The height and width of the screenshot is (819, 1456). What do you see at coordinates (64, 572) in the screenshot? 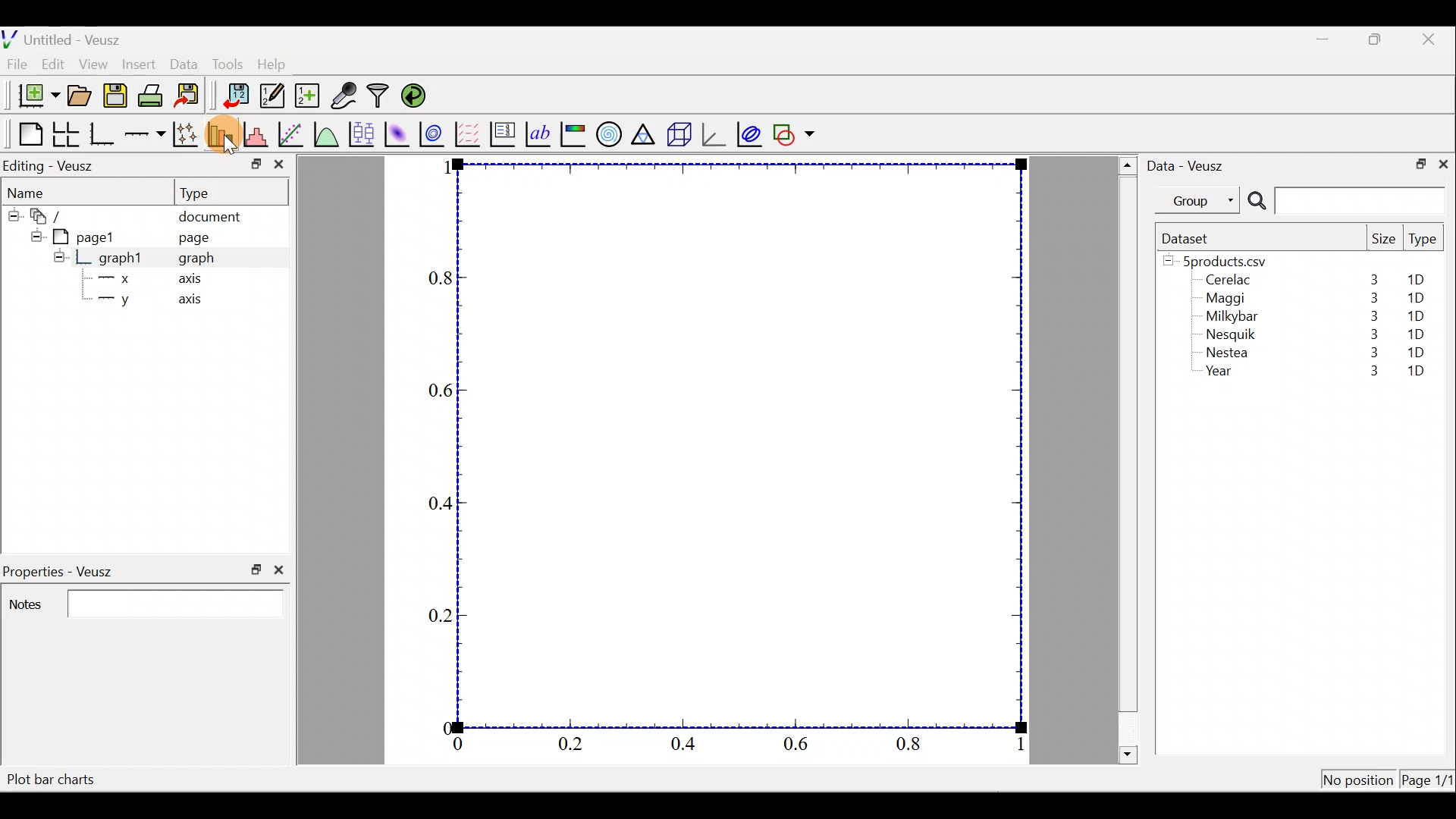
I see `Properties - Veusz` at bounding box center [64, 572].